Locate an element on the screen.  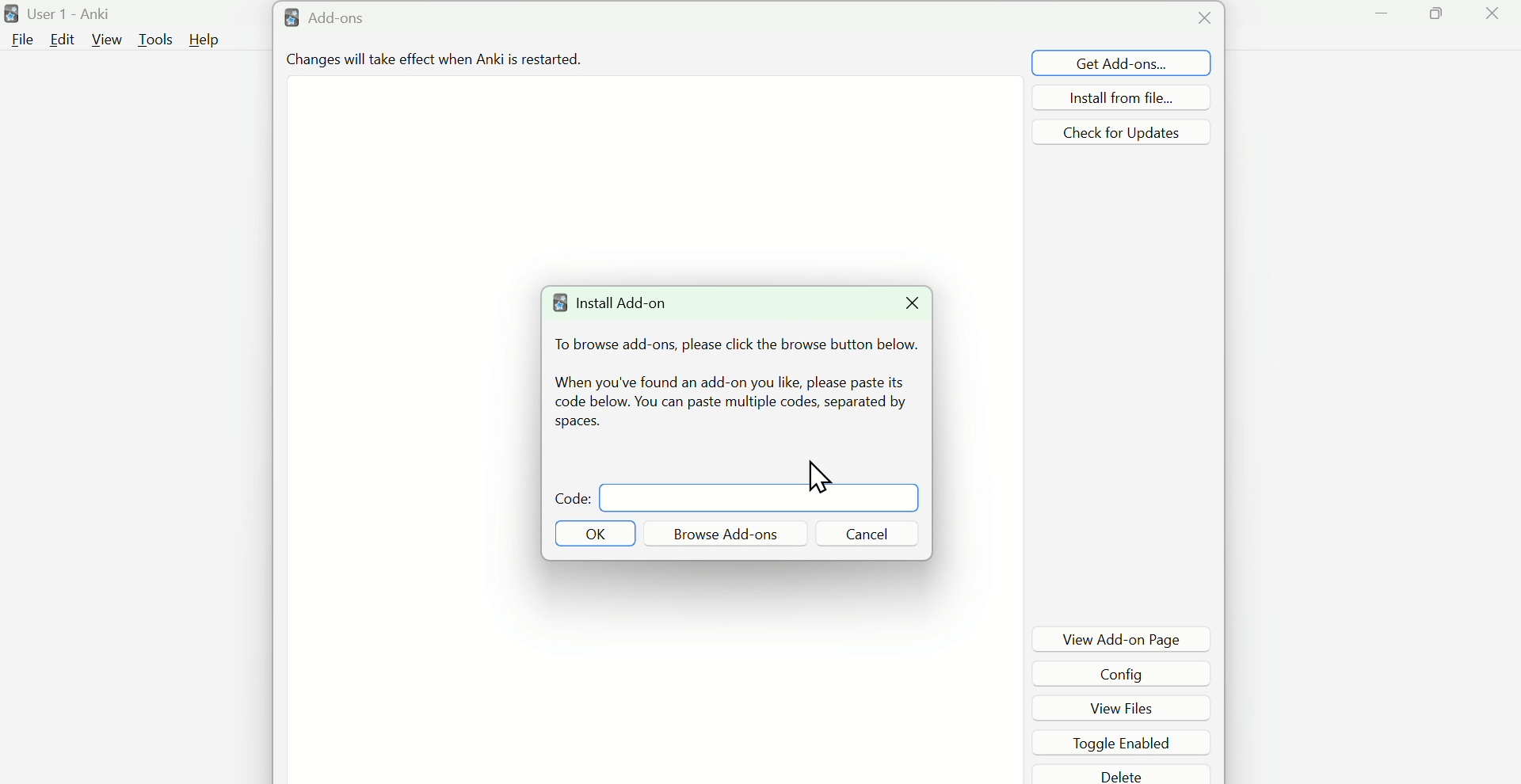
Changes will take effect when Anki is restarted. is located at coordinates (432, 63).